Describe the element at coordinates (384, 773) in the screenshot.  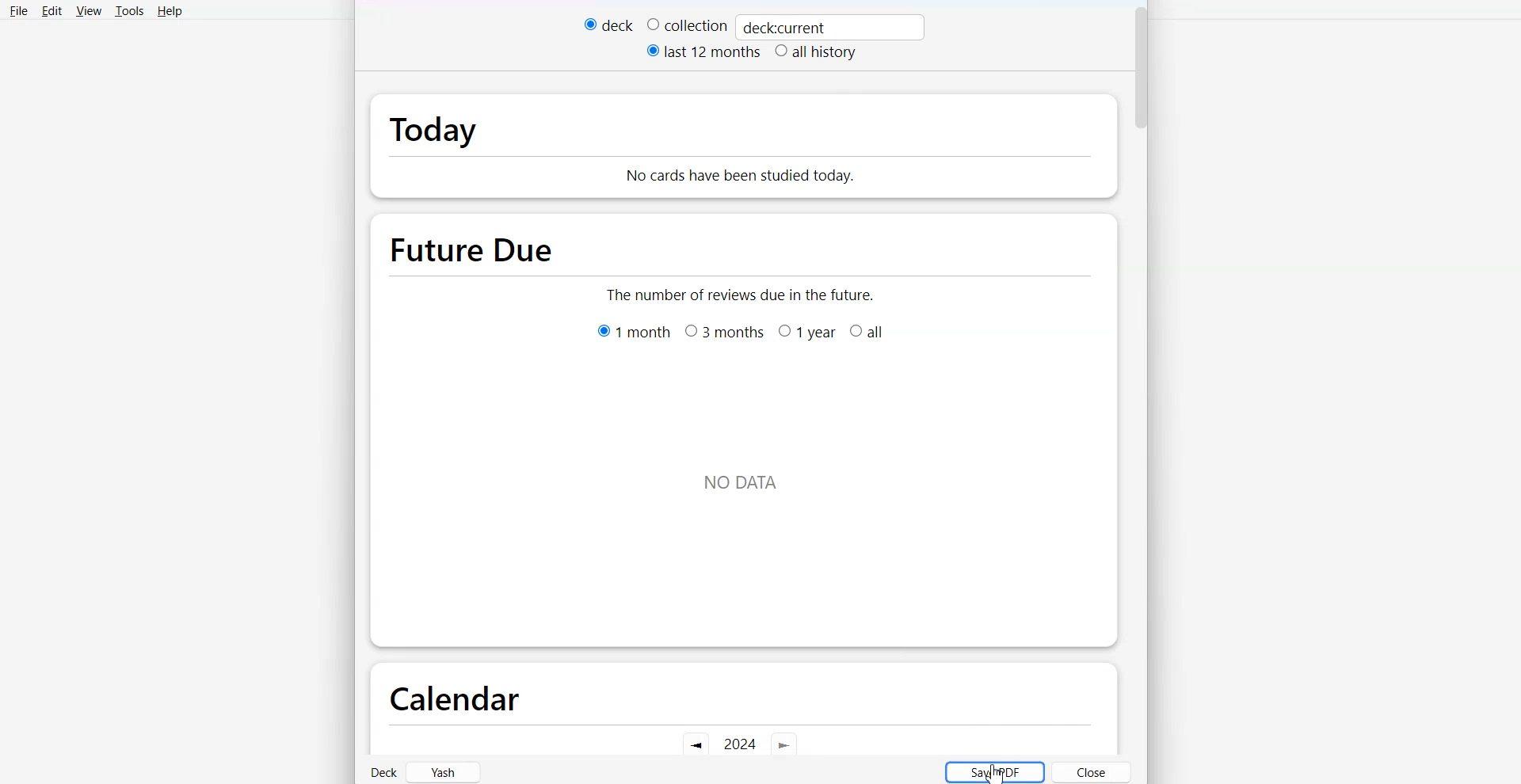
I see `Deck` at that location.